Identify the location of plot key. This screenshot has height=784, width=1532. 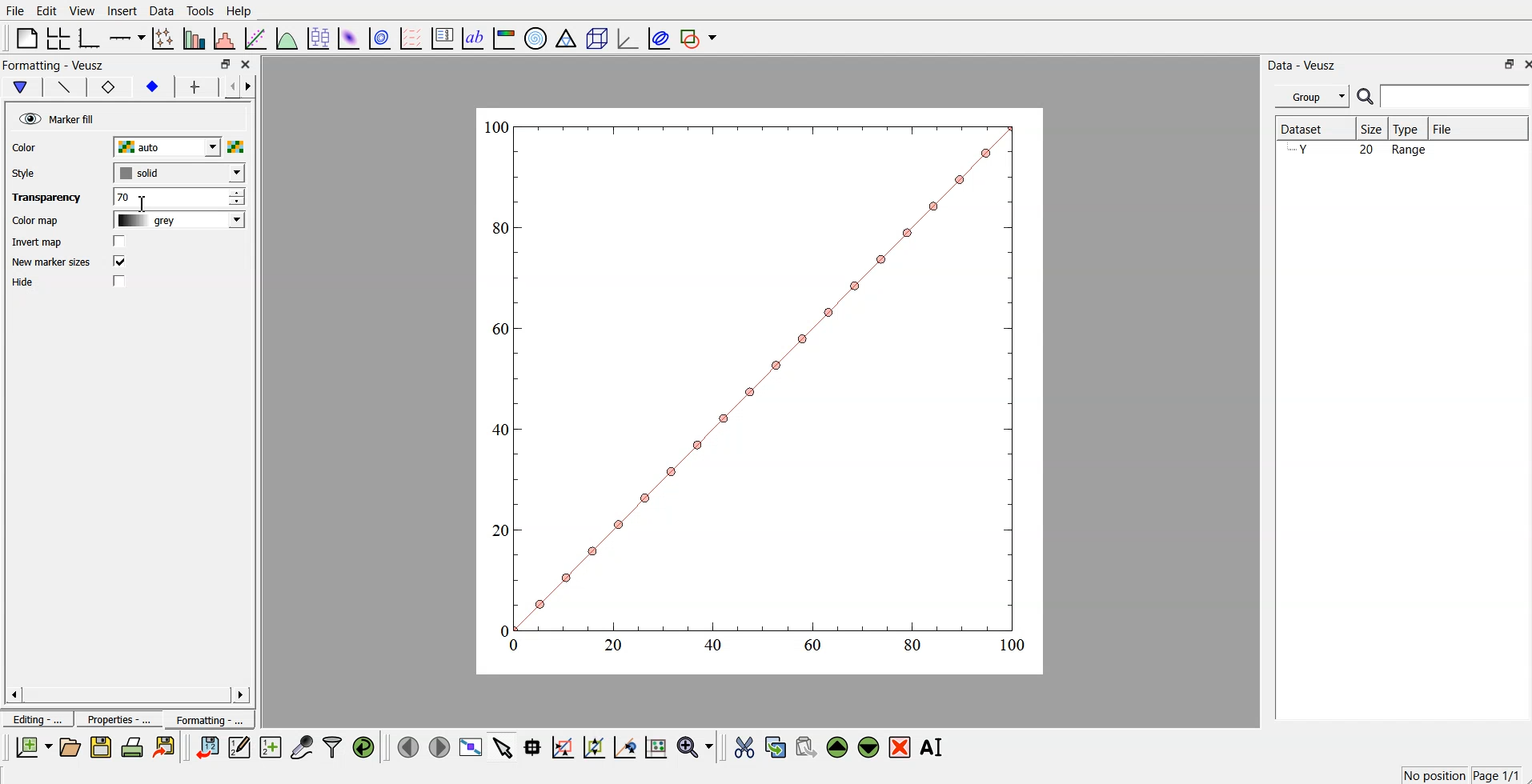
(443, 37).